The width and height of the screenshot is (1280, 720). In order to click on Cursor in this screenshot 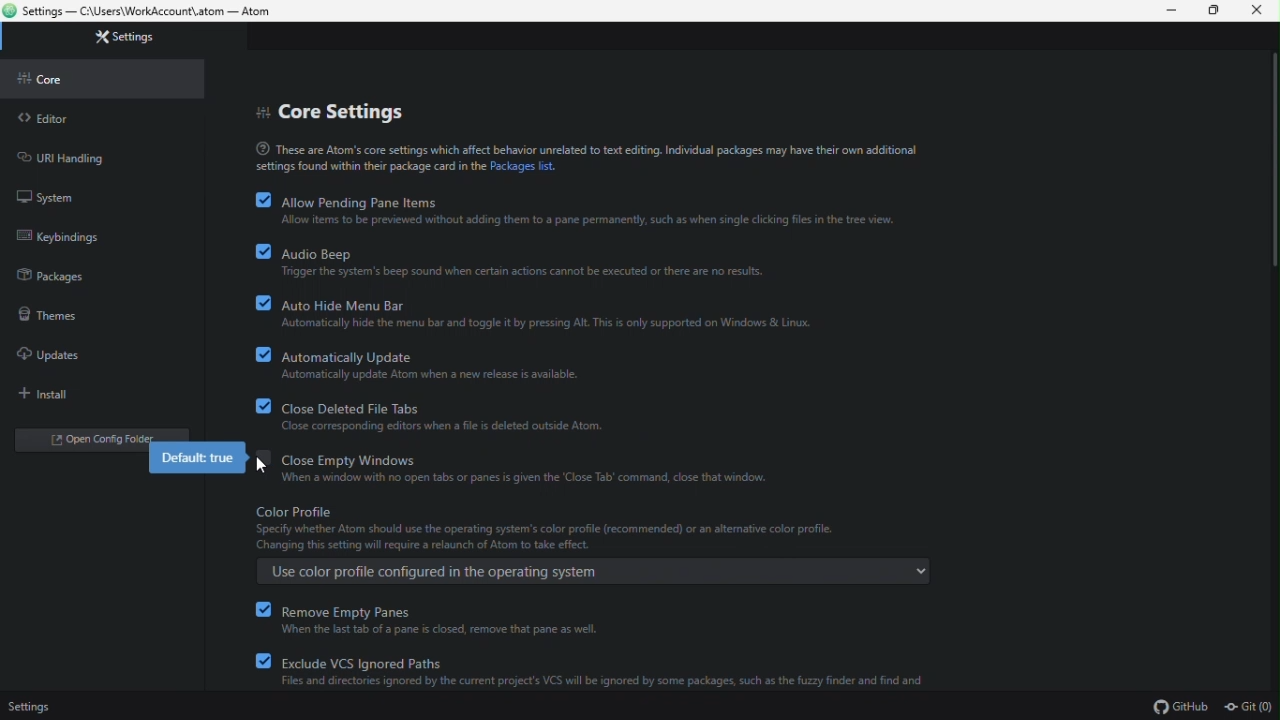, I will do `click(257, 466)`.